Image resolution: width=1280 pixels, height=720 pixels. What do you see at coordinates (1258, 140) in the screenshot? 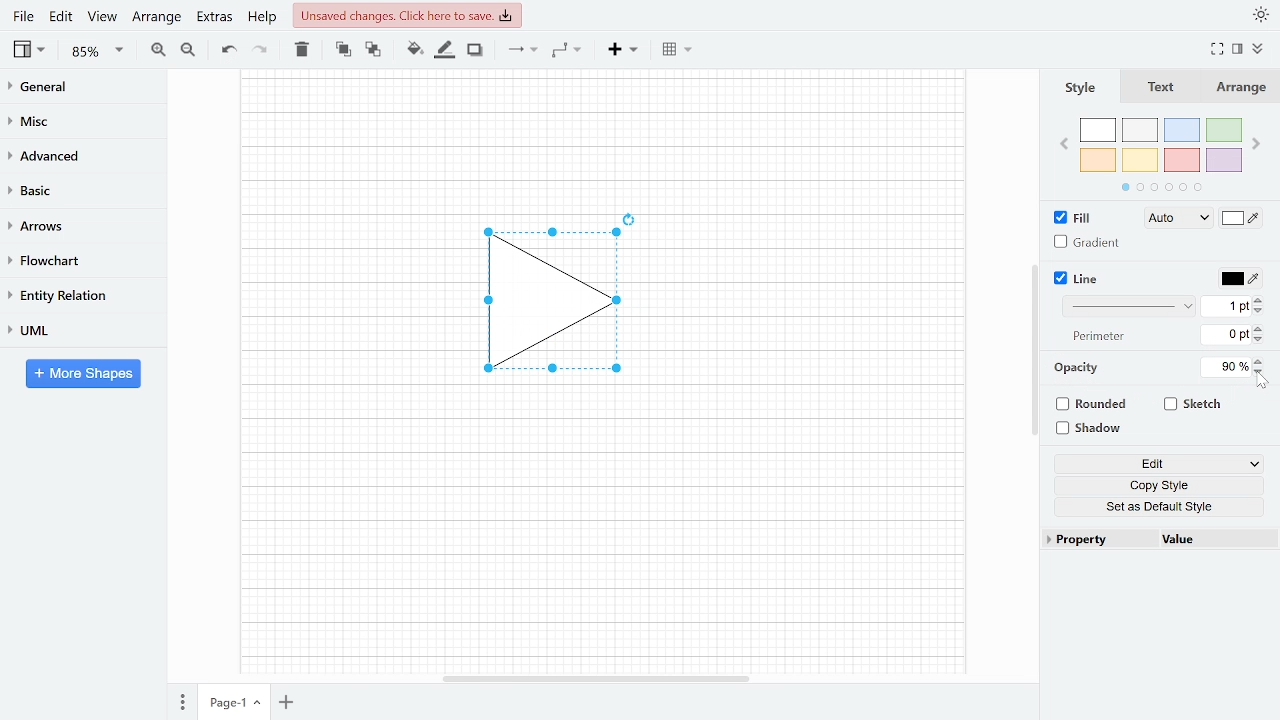
I see `Next` at bounding box center [1258, 140].